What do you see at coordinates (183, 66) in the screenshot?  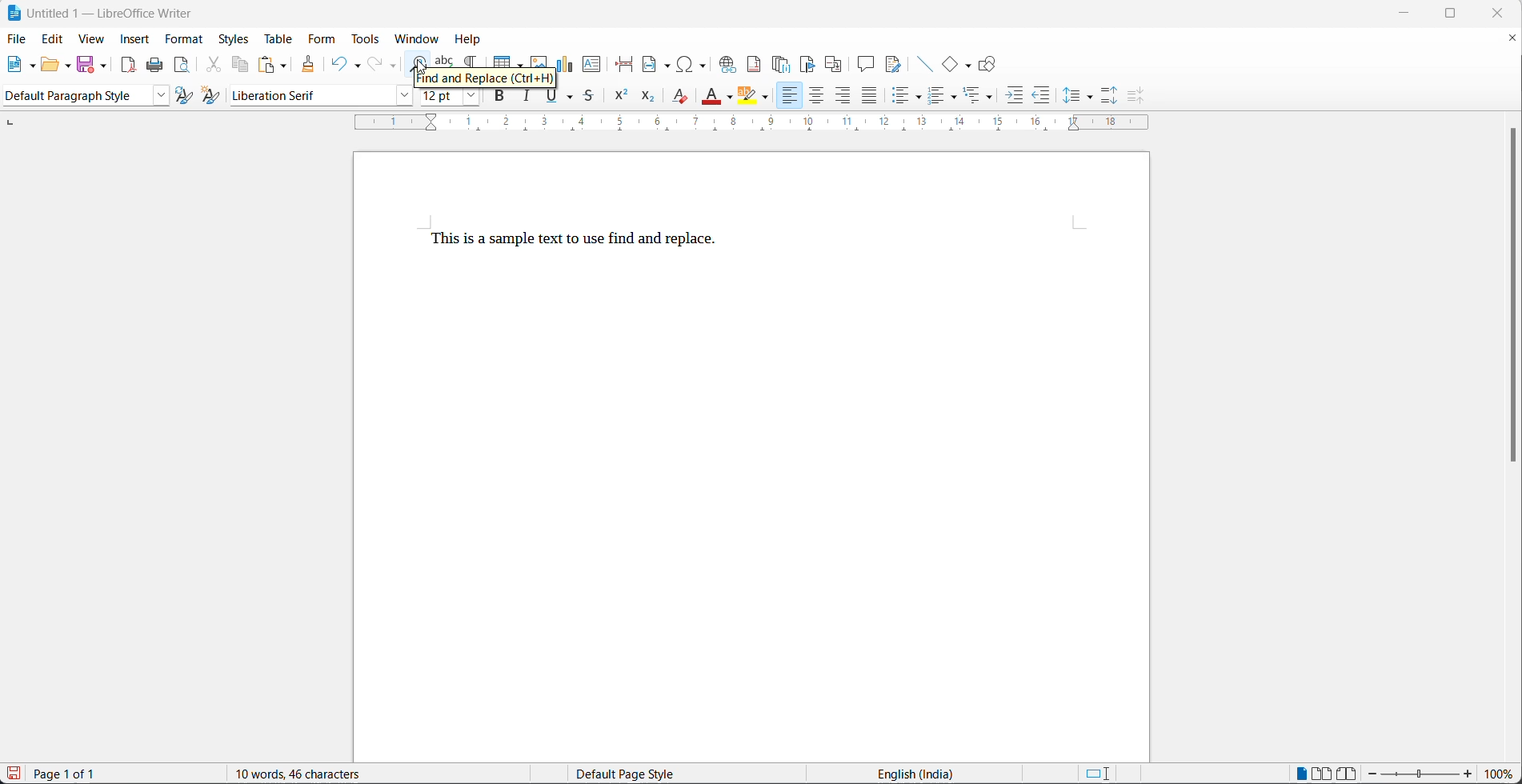 I see `print preview` at bounding box center [183, 66].